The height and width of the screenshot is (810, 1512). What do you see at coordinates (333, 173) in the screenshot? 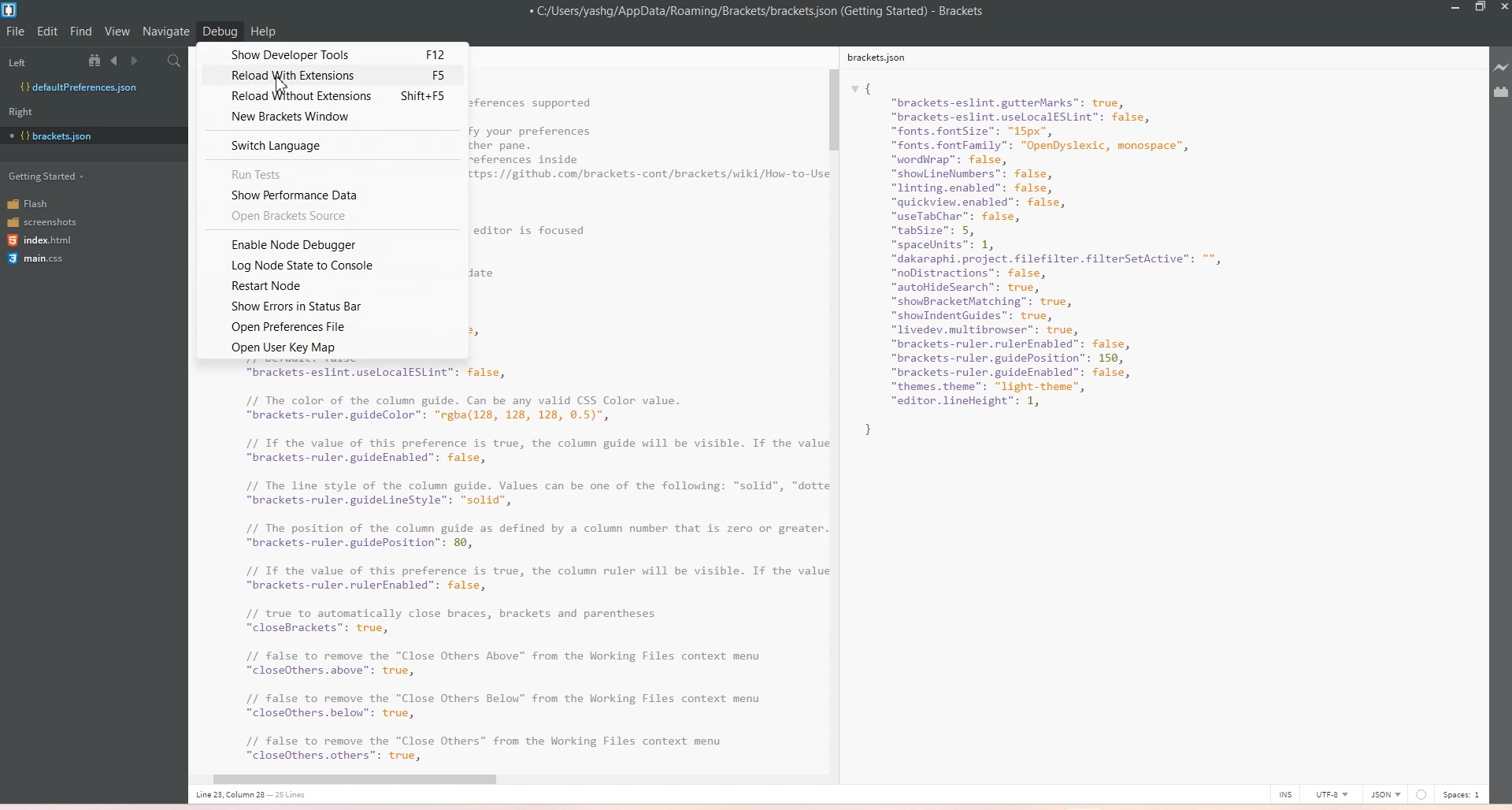
I see `run tests` at bounding box center [333, 173].